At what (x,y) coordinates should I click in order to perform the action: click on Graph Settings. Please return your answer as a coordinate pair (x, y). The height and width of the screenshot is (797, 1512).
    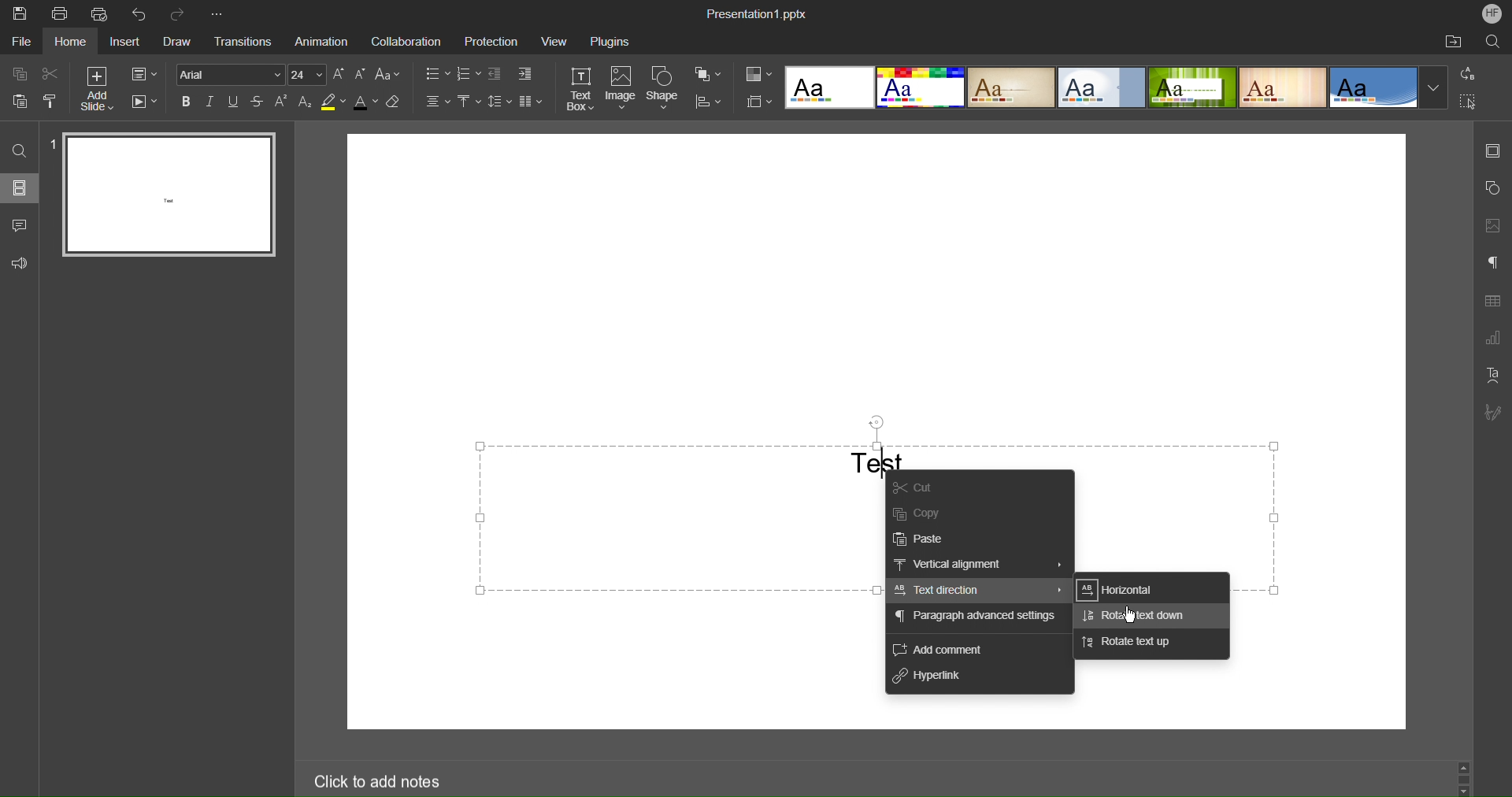
    Looking at the image, I should click on (1493, 339).